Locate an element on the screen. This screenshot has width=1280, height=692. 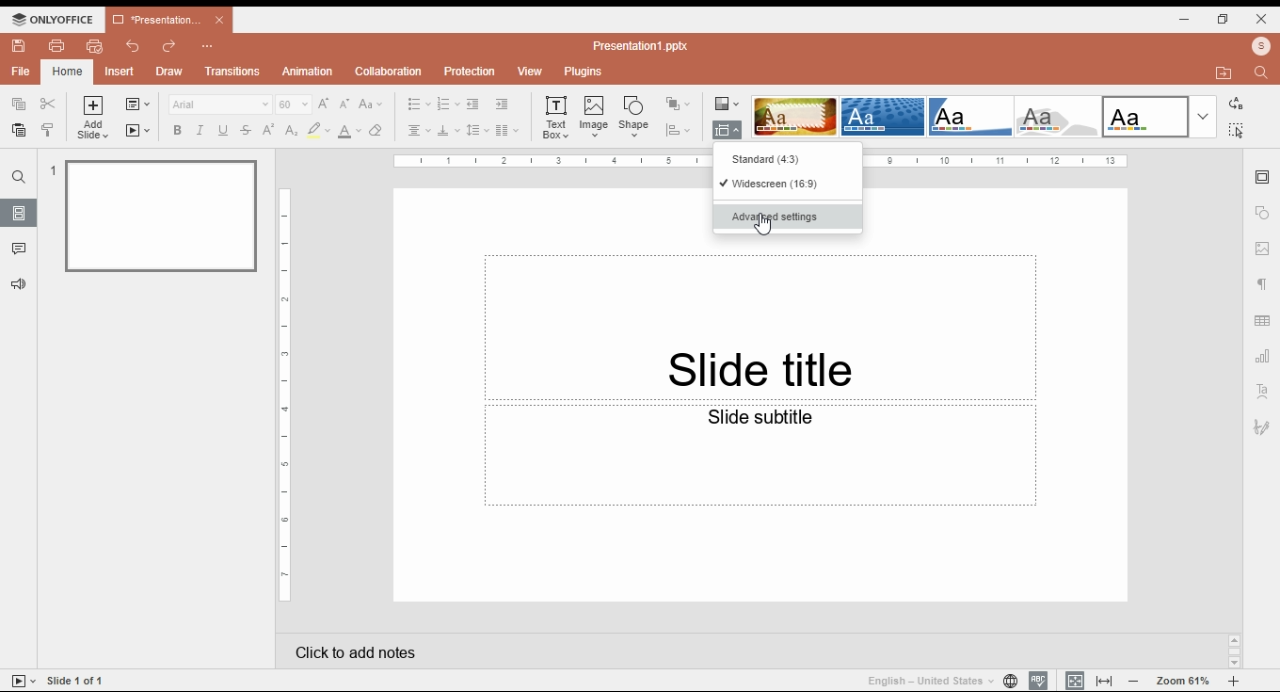
change slide layout is located at coordinates (137, 104).